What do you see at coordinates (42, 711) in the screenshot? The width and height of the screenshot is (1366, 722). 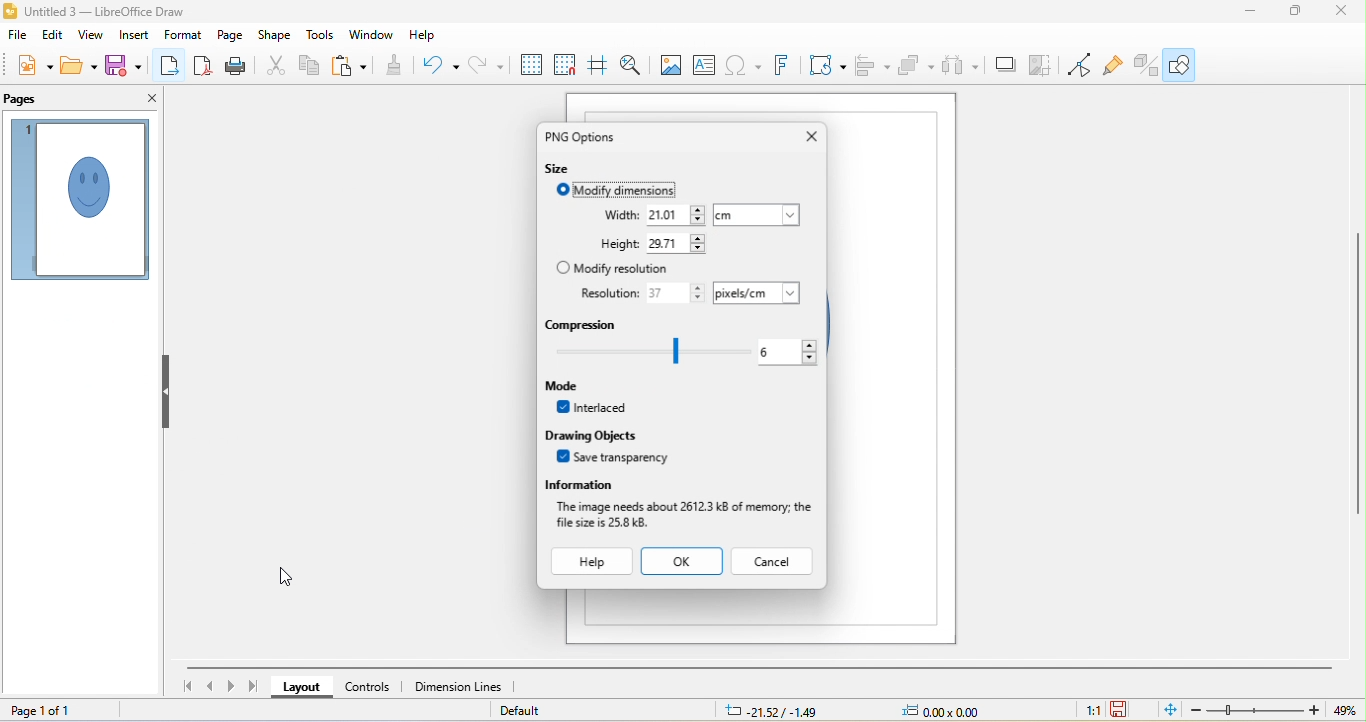 I see `page 1 of 1` at bounding box center [42, 711].